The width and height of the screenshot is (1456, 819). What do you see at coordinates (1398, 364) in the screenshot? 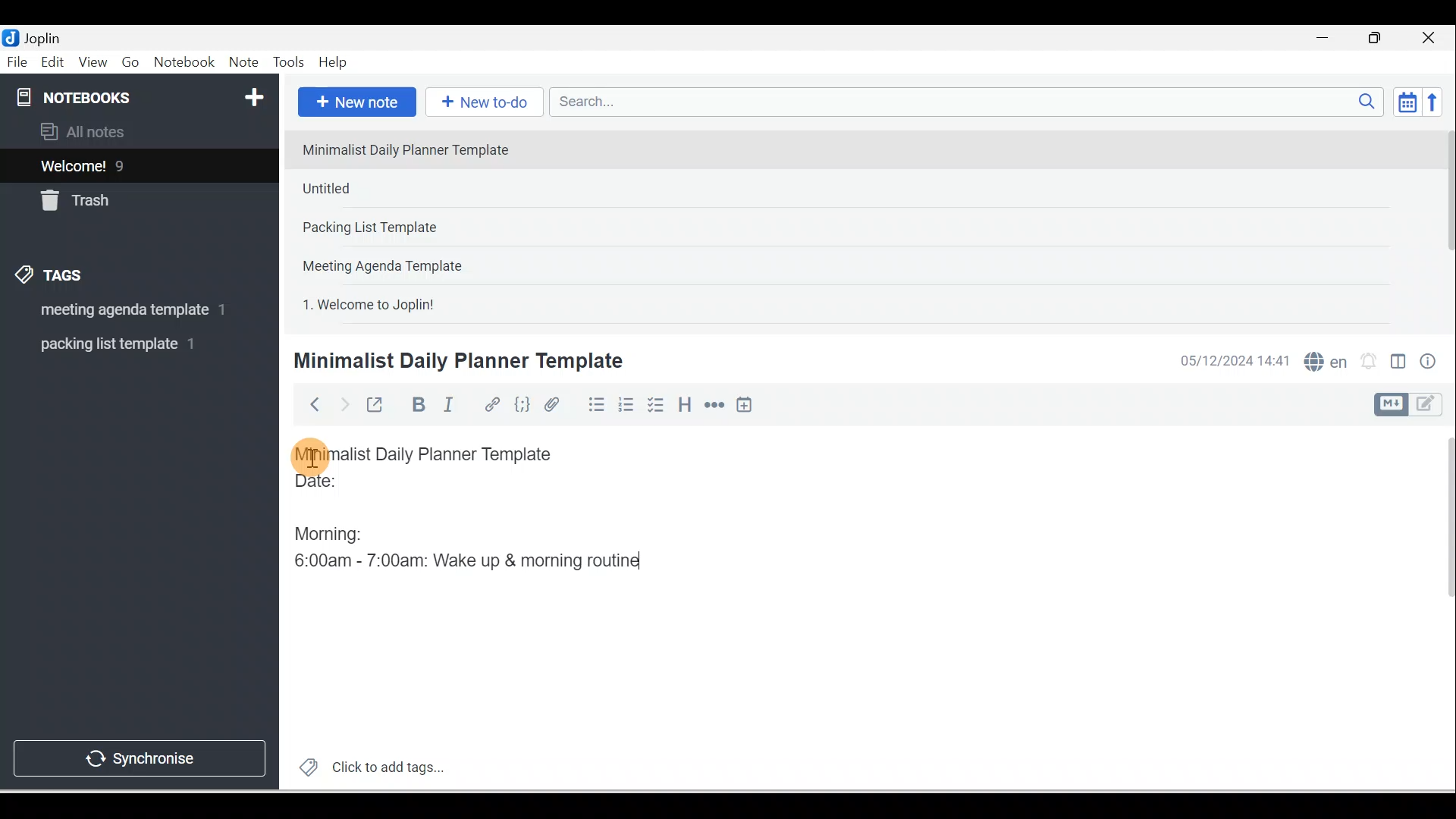
I see `Toggle editors` at bounding box center [1398, 364].